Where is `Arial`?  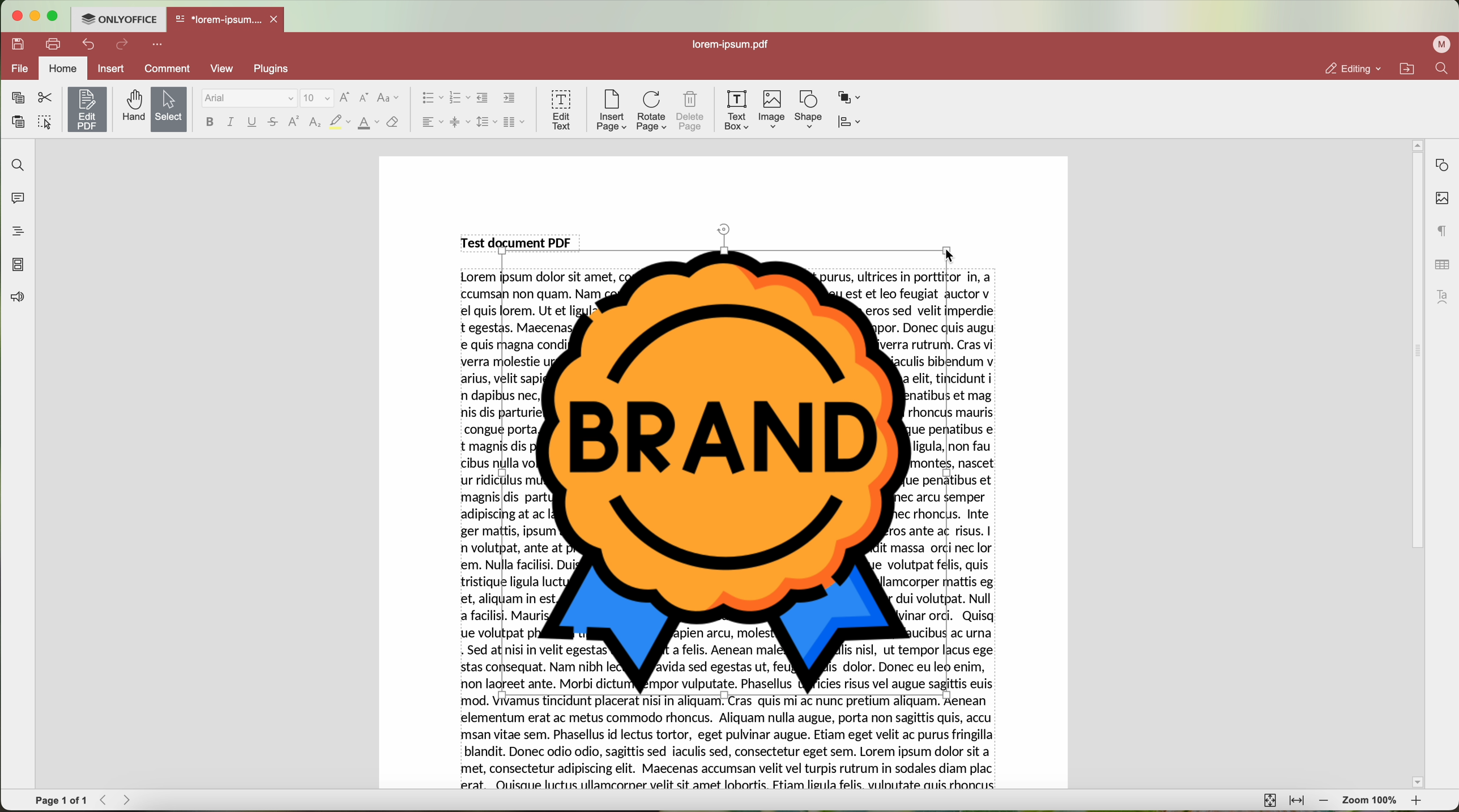 Arial is located at coordinates (248, 99).